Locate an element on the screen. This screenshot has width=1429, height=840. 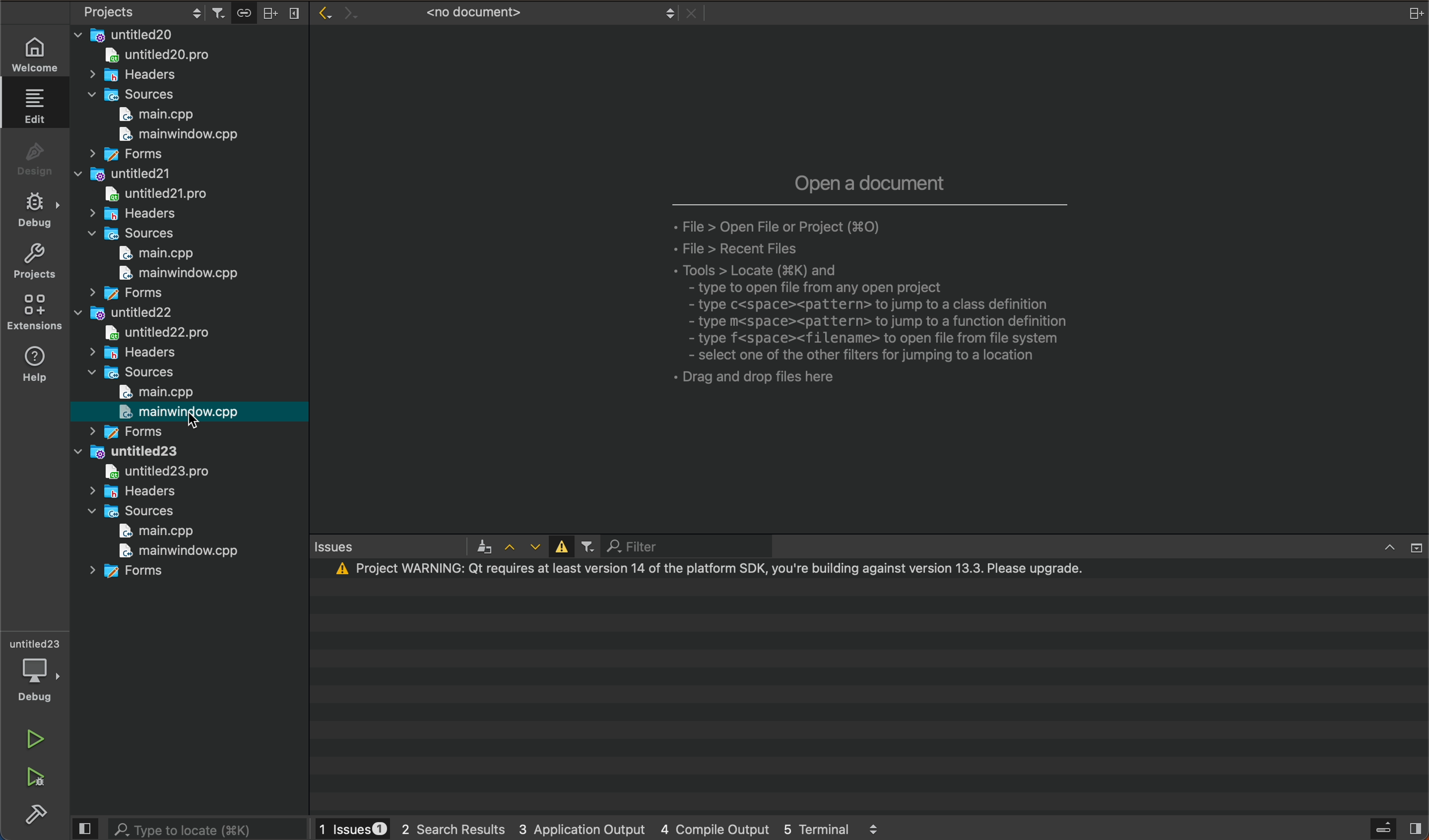
debug is located at coordinates (34, 668).